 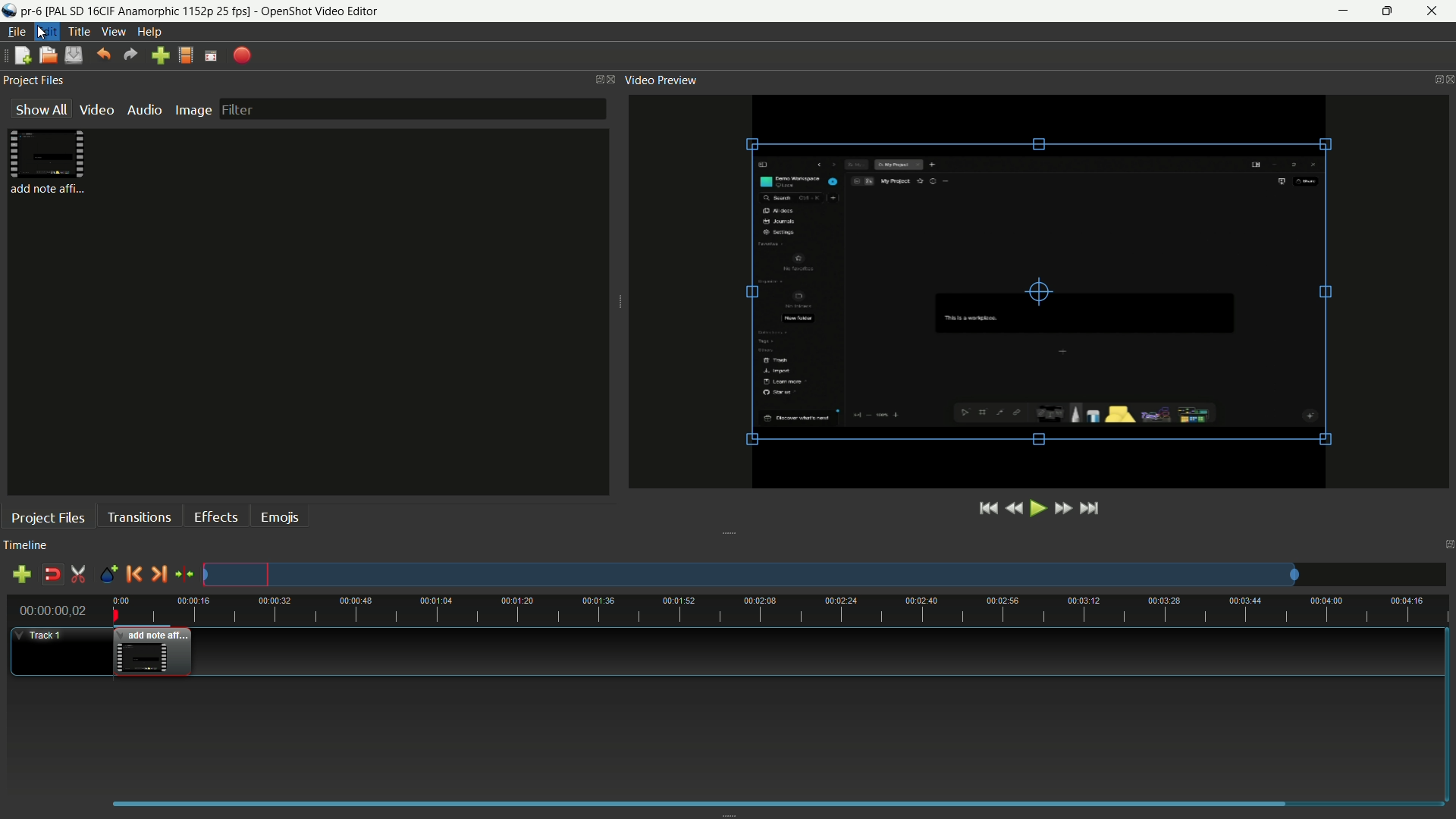 I want to click on project files, so click(x=35, y=80).